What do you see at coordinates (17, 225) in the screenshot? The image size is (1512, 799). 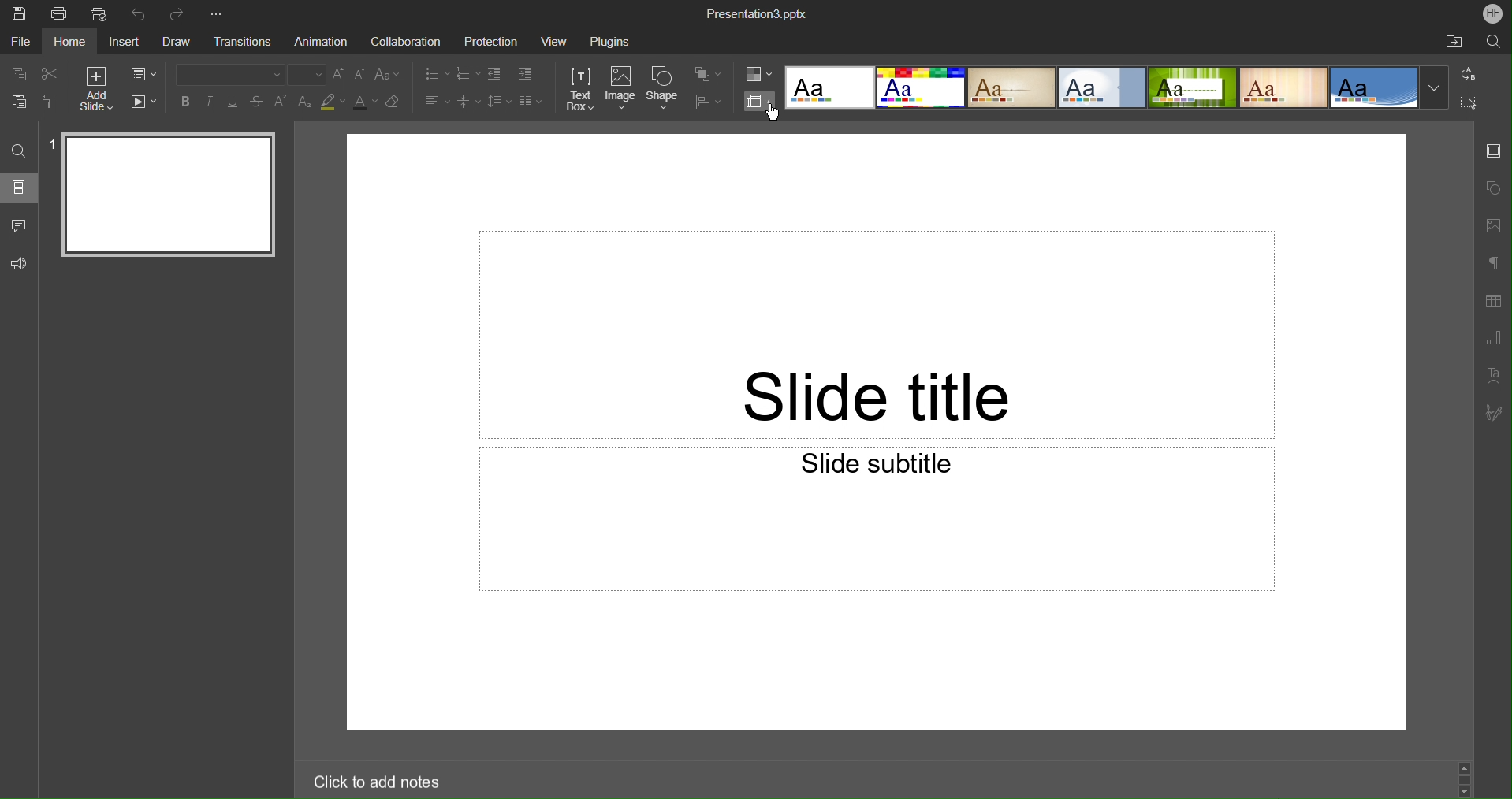 I see `Comments` at bounding box center [17, 225].